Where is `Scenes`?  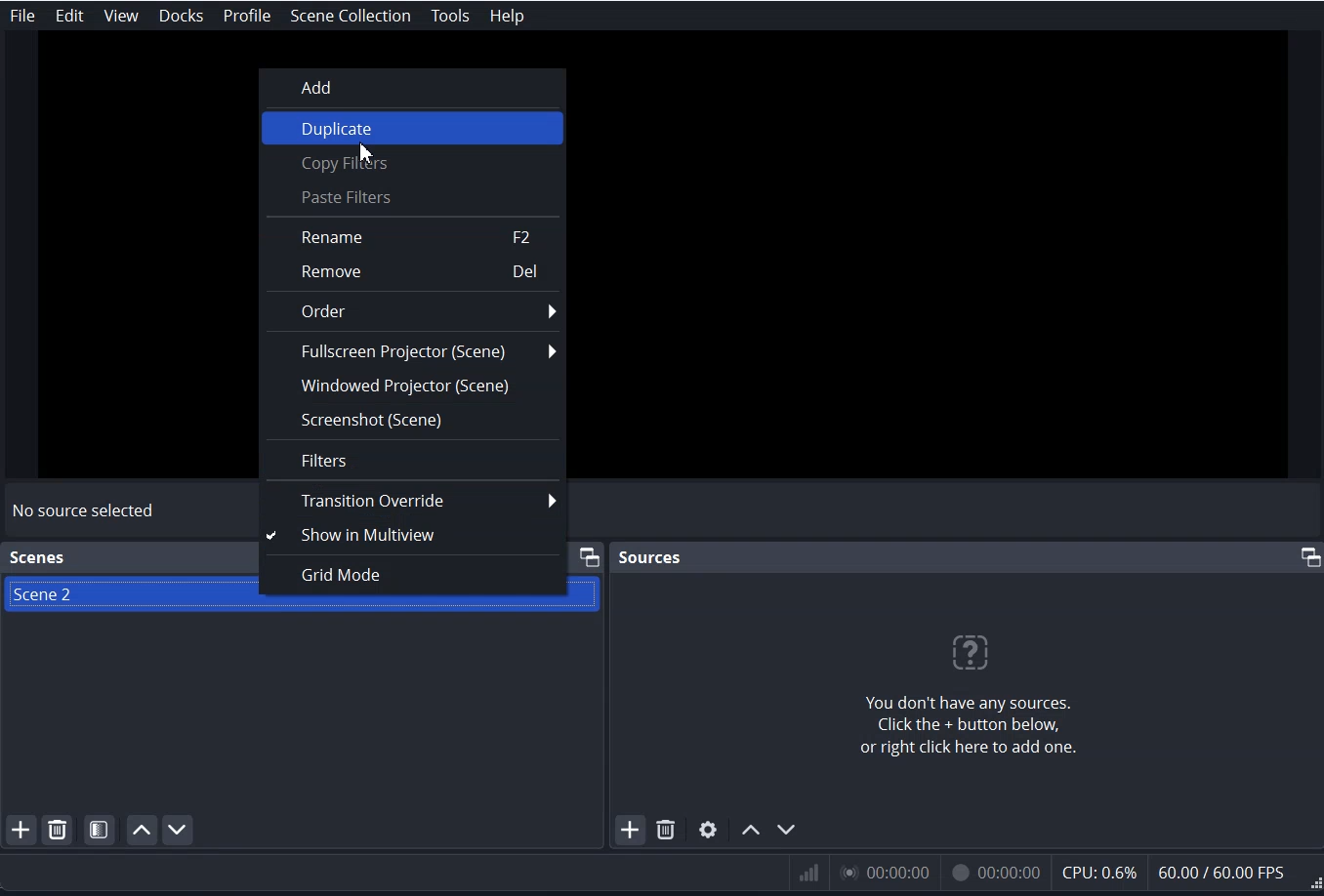 Scenes is located at coordinates (38, 557).